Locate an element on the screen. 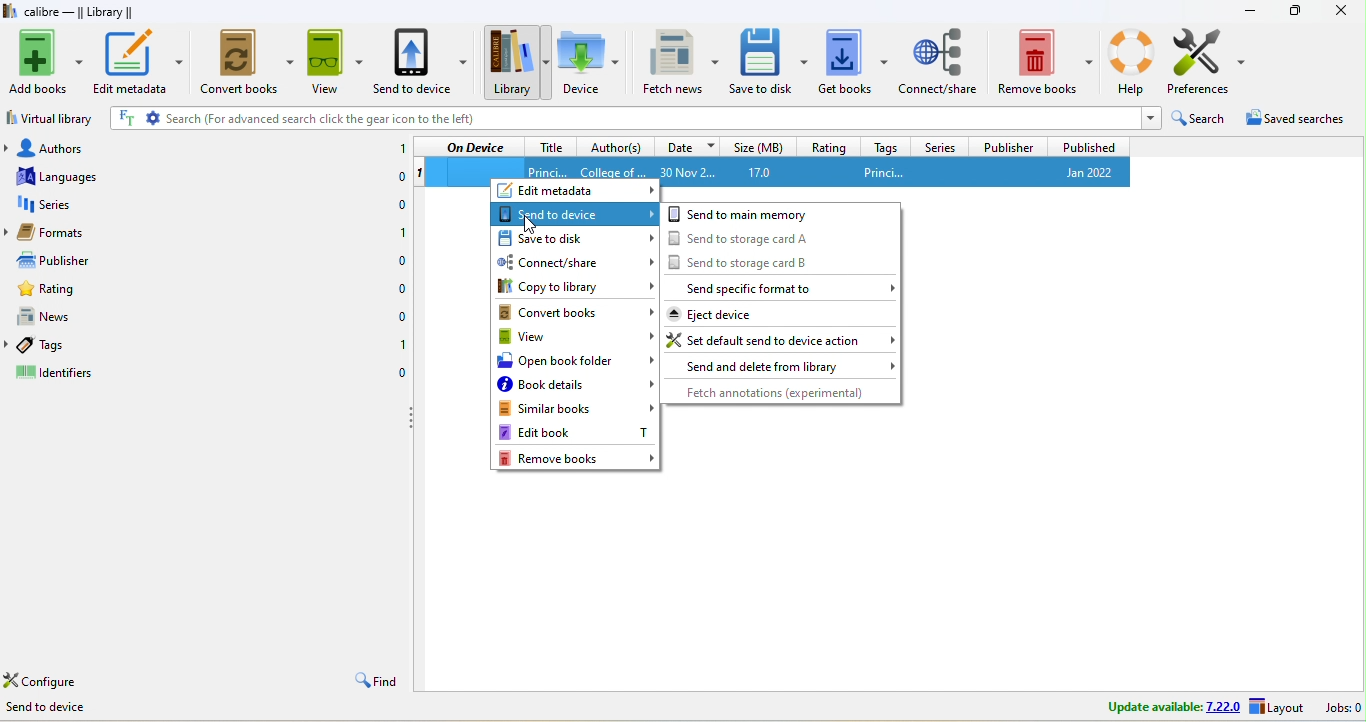  news is located at coordinates (60, 315).